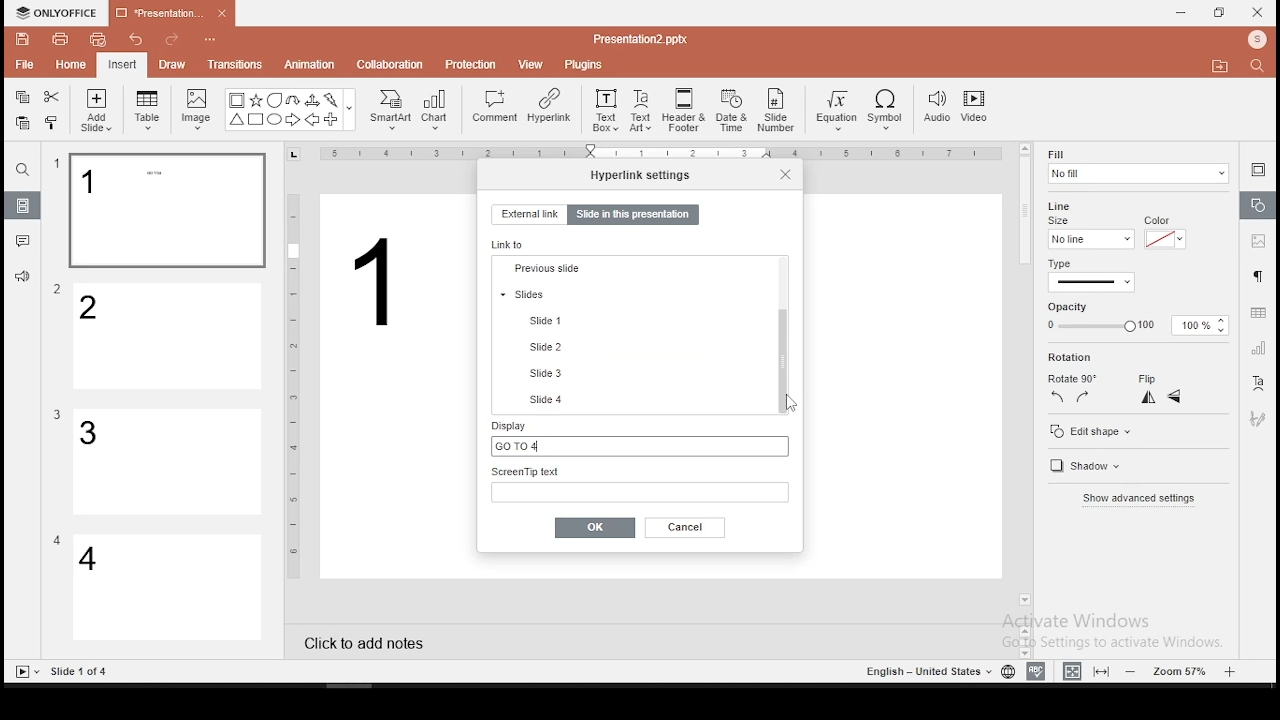  I want to click on last slide, so click(634, 294).